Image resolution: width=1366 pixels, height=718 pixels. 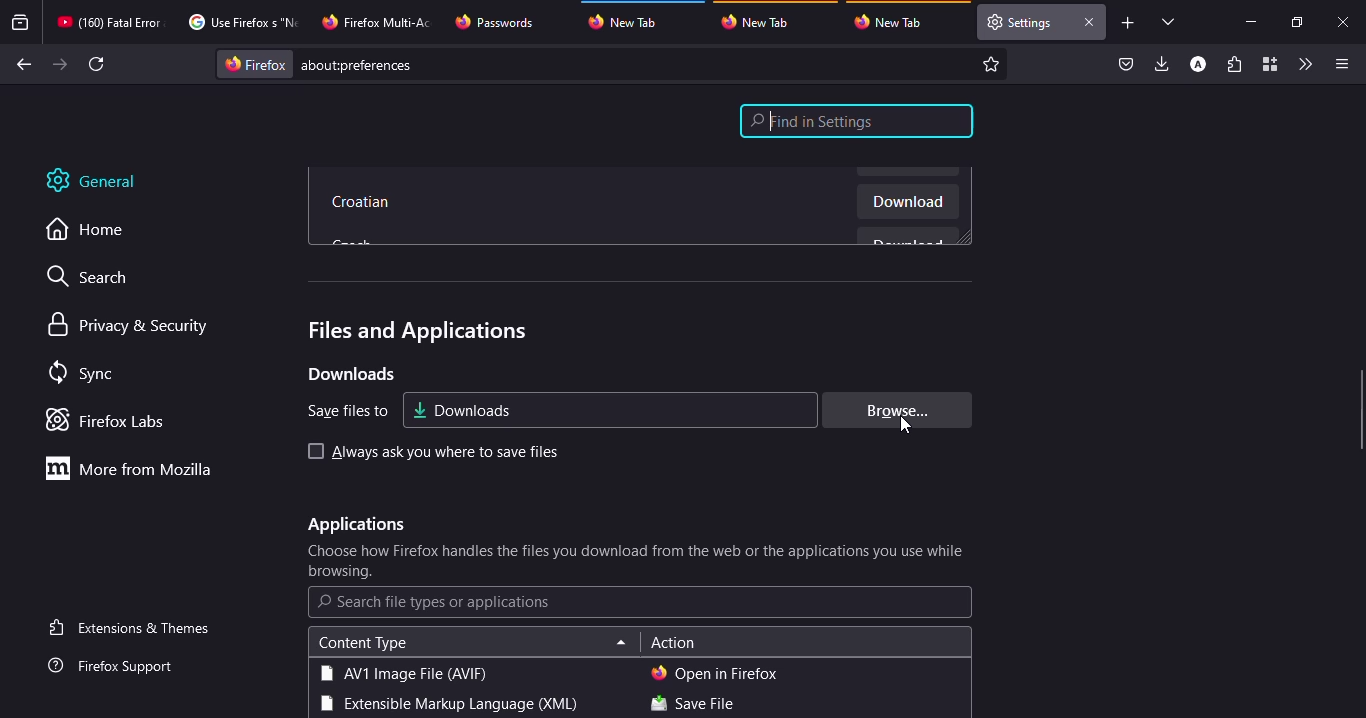 I want to click on view tab, so click(x=1169, y=21).